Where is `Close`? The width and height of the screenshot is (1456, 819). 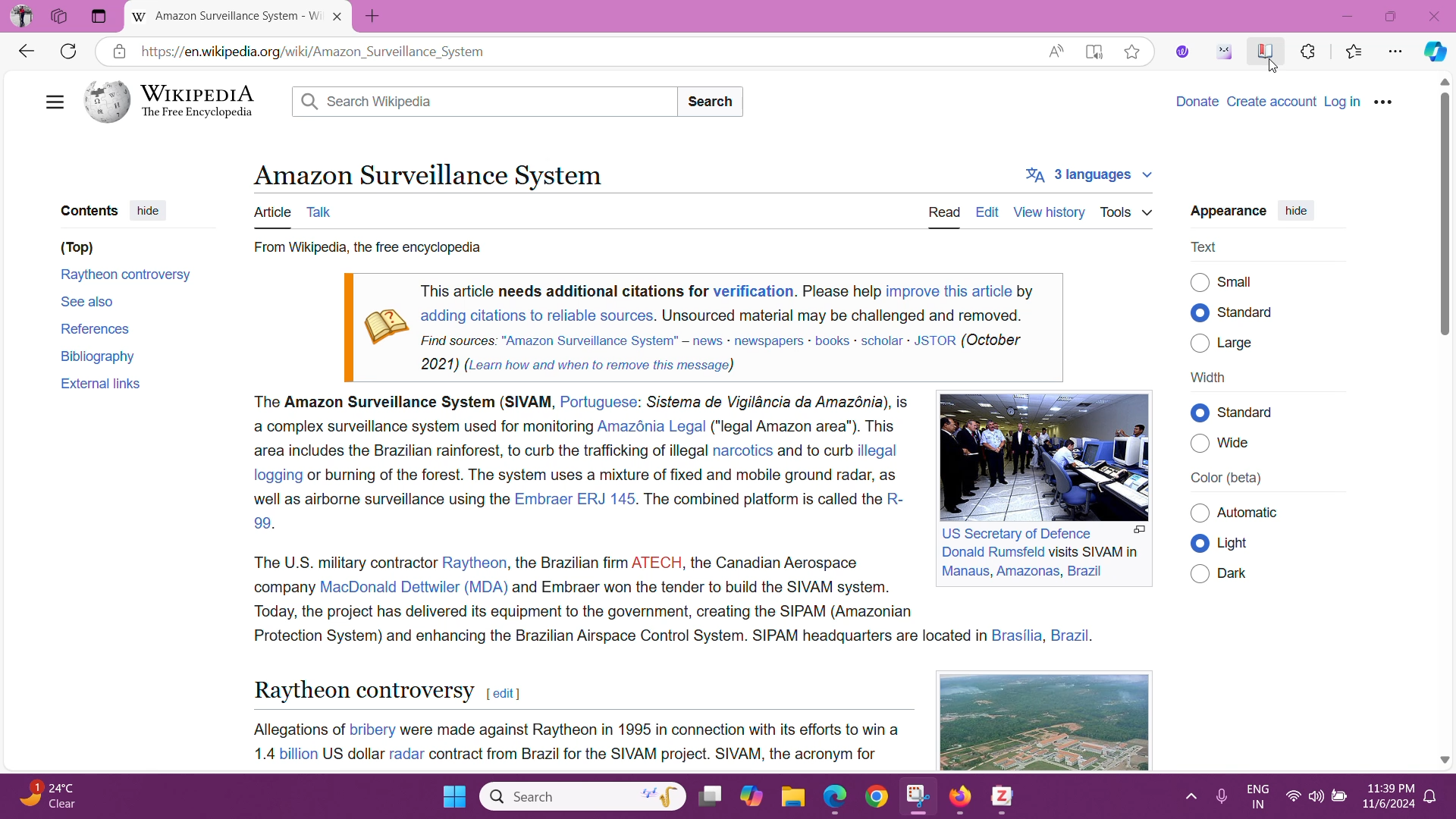
Close is located at coordinates (1435, 15).